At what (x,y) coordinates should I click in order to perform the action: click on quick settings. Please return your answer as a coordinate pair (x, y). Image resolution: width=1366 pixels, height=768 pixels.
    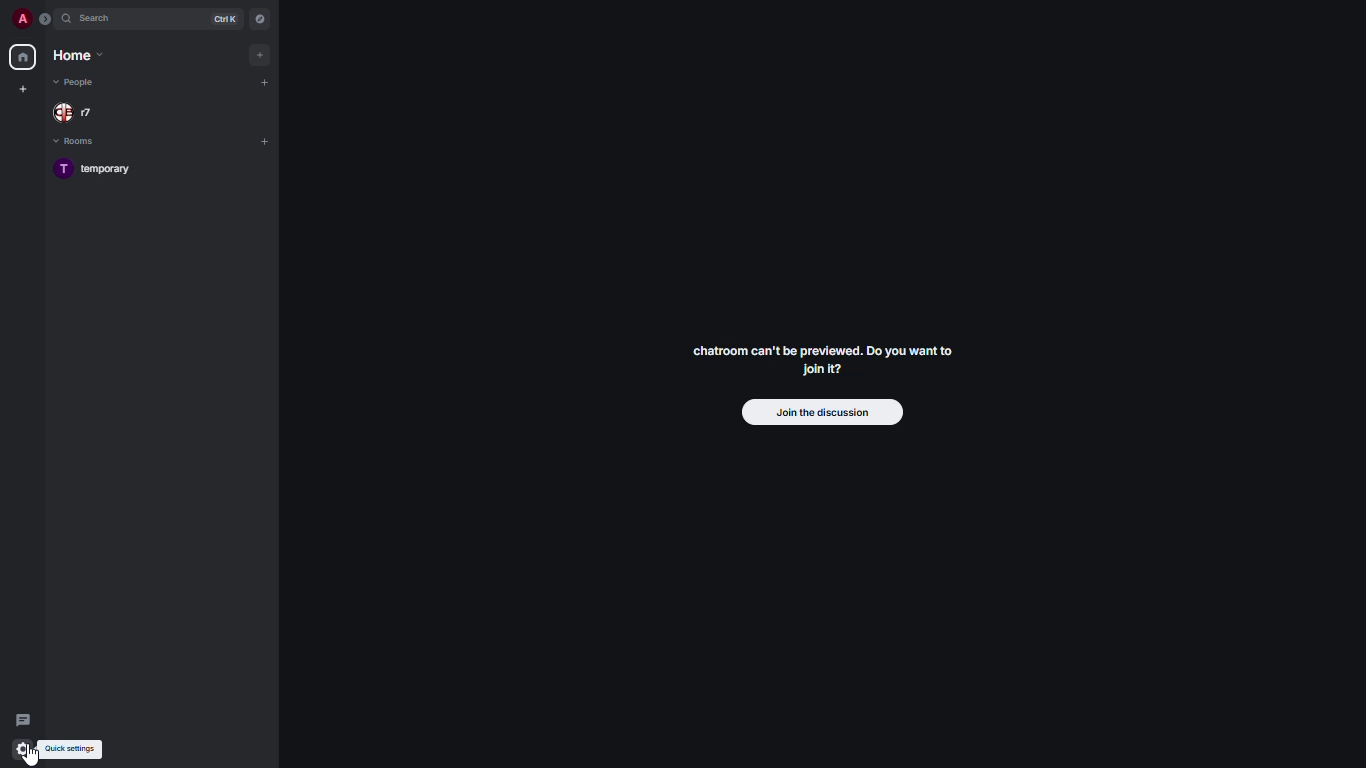
    Looking at the image, I should click on (71, 748).